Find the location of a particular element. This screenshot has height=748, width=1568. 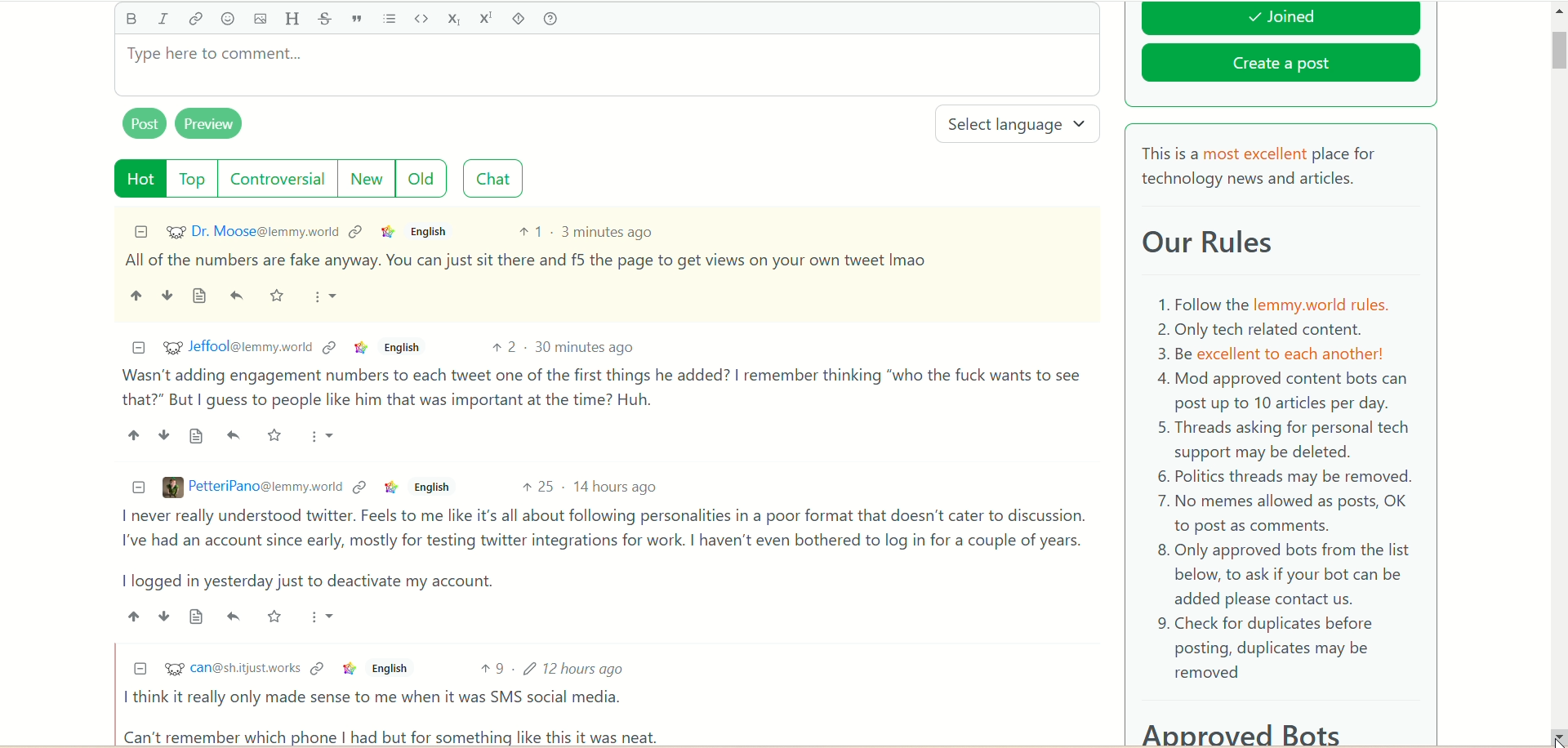

Source is located at coordinates (198, 616).